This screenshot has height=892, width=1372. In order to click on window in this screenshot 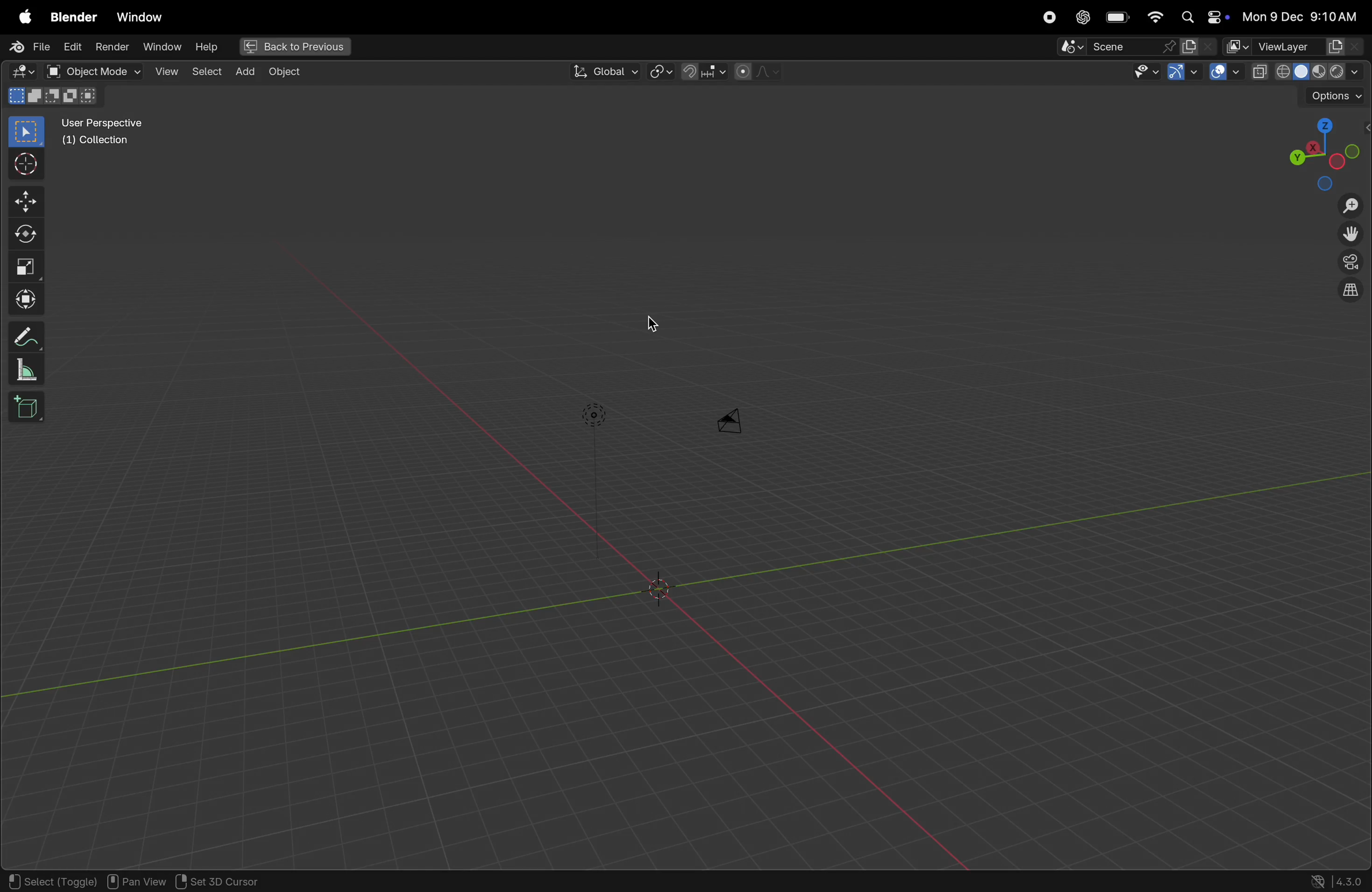, I will do `click(161, 47)`.